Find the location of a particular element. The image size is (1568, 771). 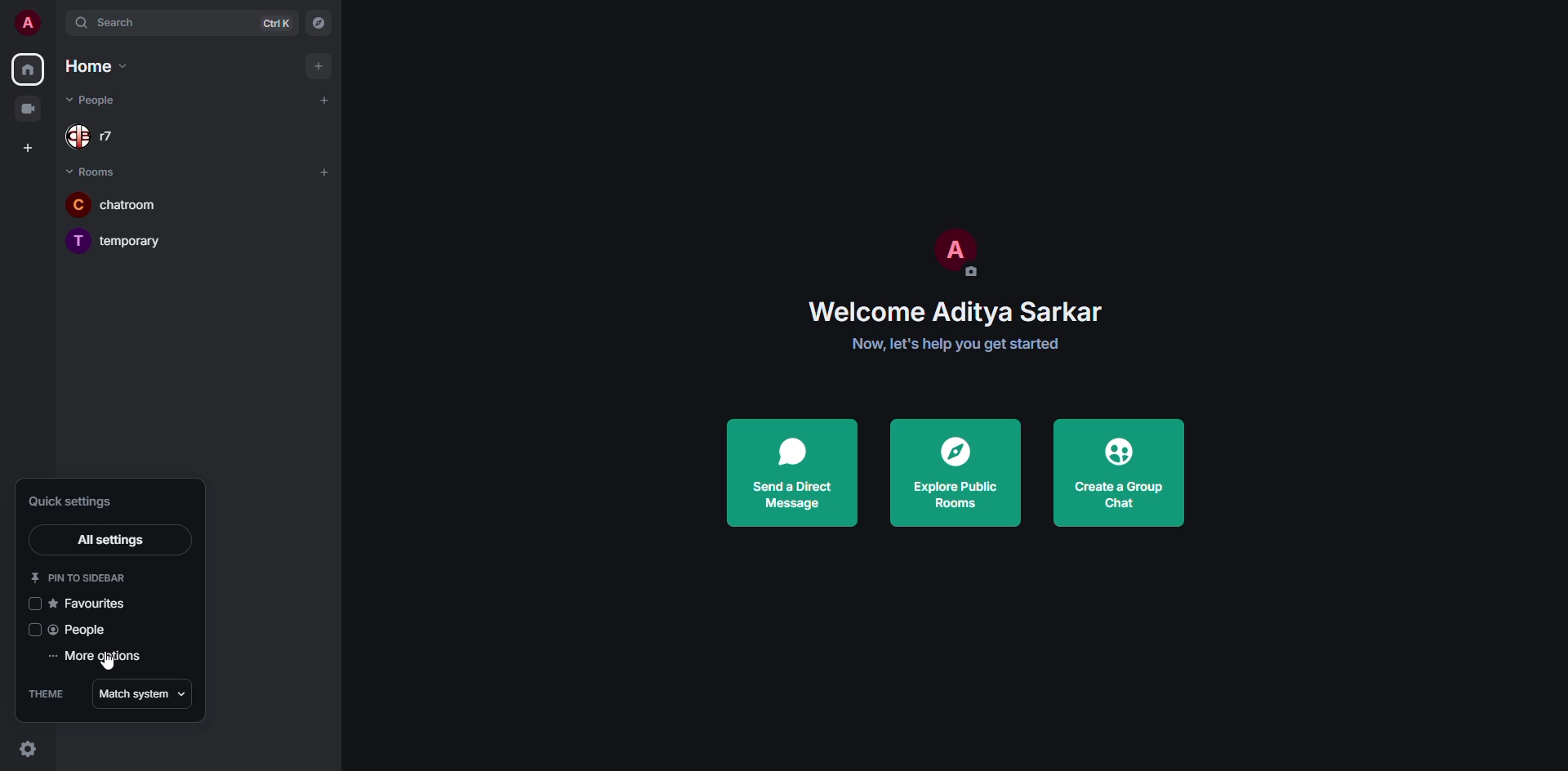

create a group chat is located at coordinates (1119, 473).